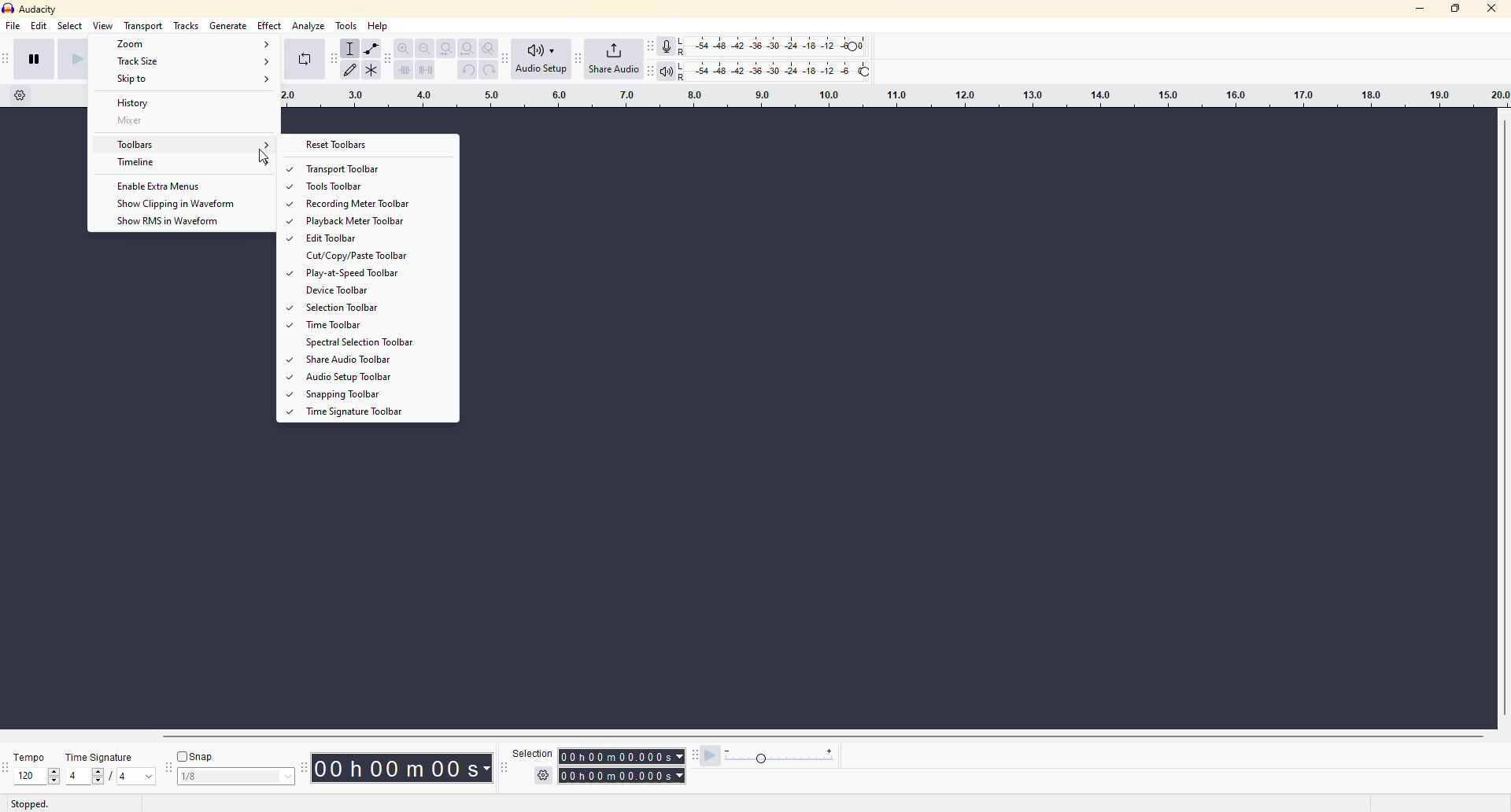 Image resolution: width=1511 pixels, height=812 pixels. I want to click on 120, so click(24, 777).